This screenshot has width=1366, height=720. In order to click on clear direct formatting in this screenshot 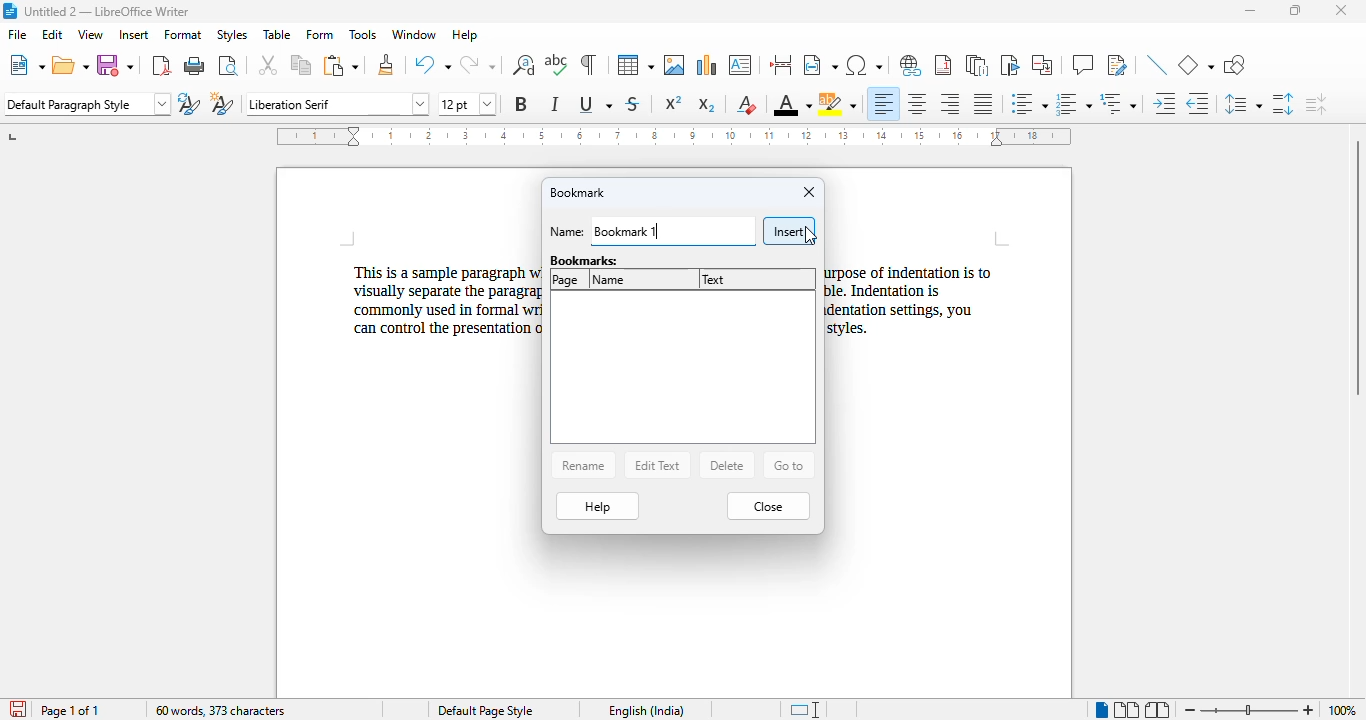, I will do `click(749, 105)`.